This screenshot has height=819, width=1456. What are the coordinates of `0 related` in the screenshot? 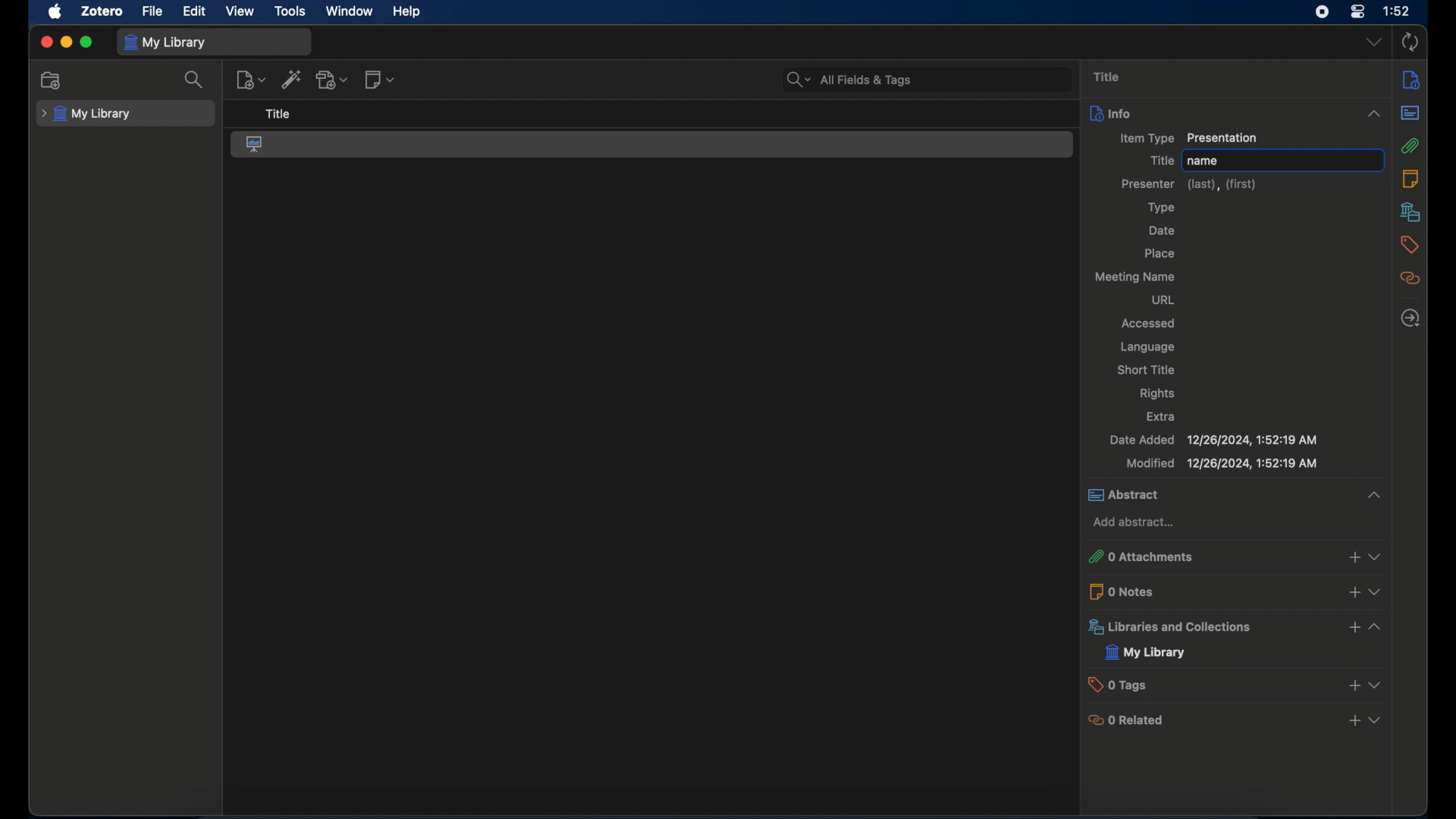 It's located at (1235, 719).